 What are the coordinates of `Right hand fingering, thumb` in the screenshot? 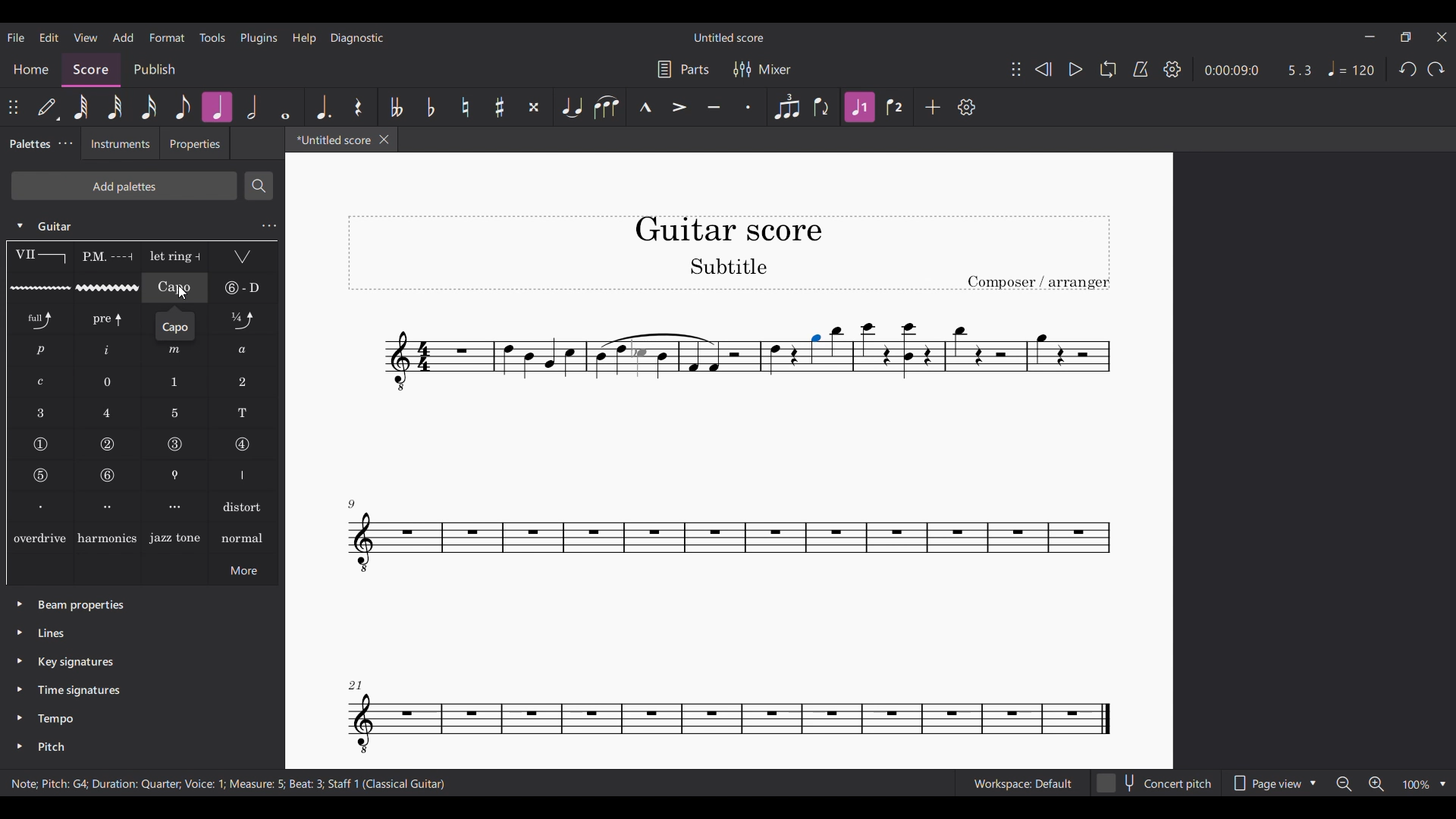 It's located at (243, 475).